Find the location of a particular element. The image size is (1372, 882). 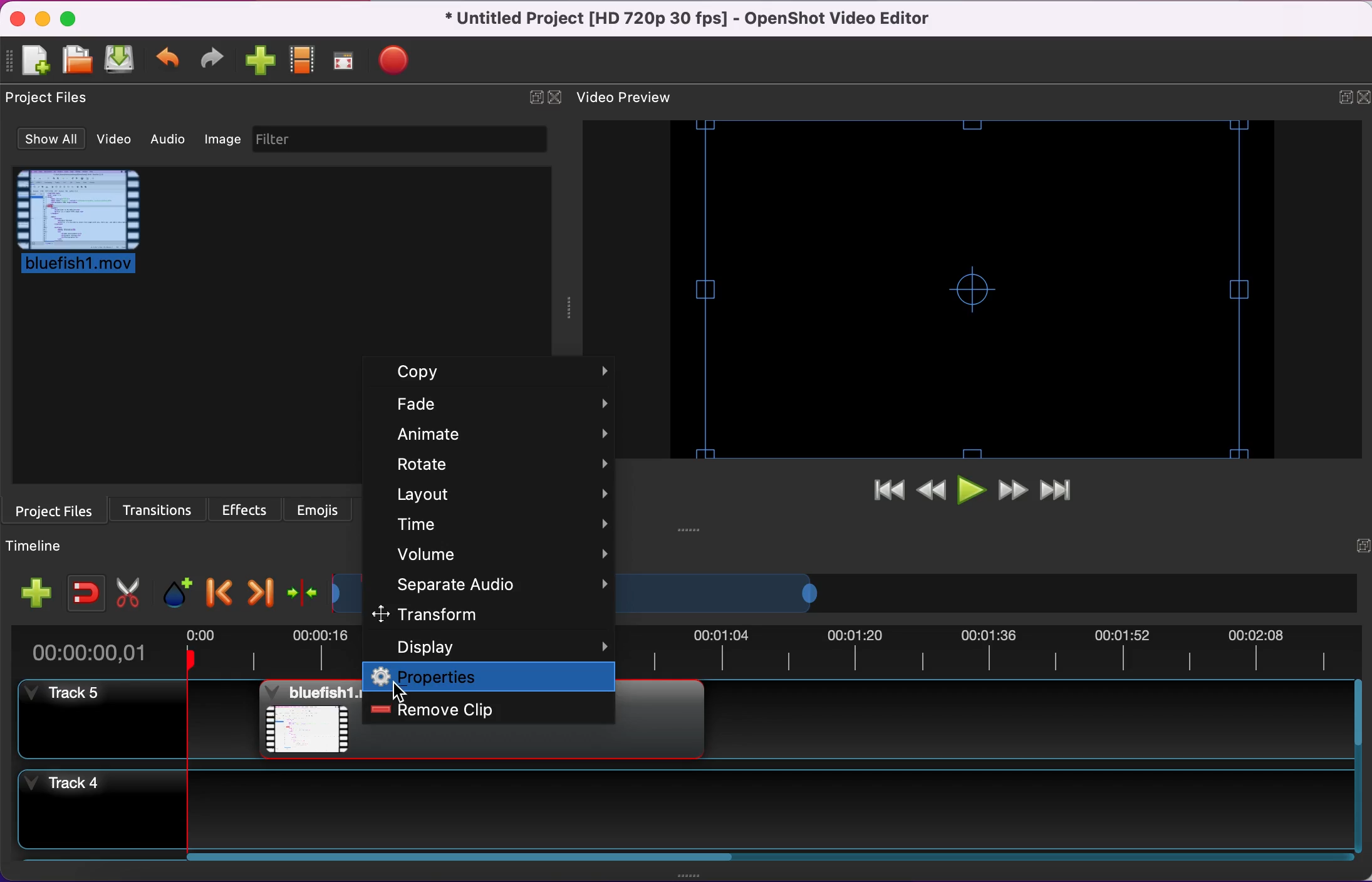

Cursor is located at coordinates (399, 691).